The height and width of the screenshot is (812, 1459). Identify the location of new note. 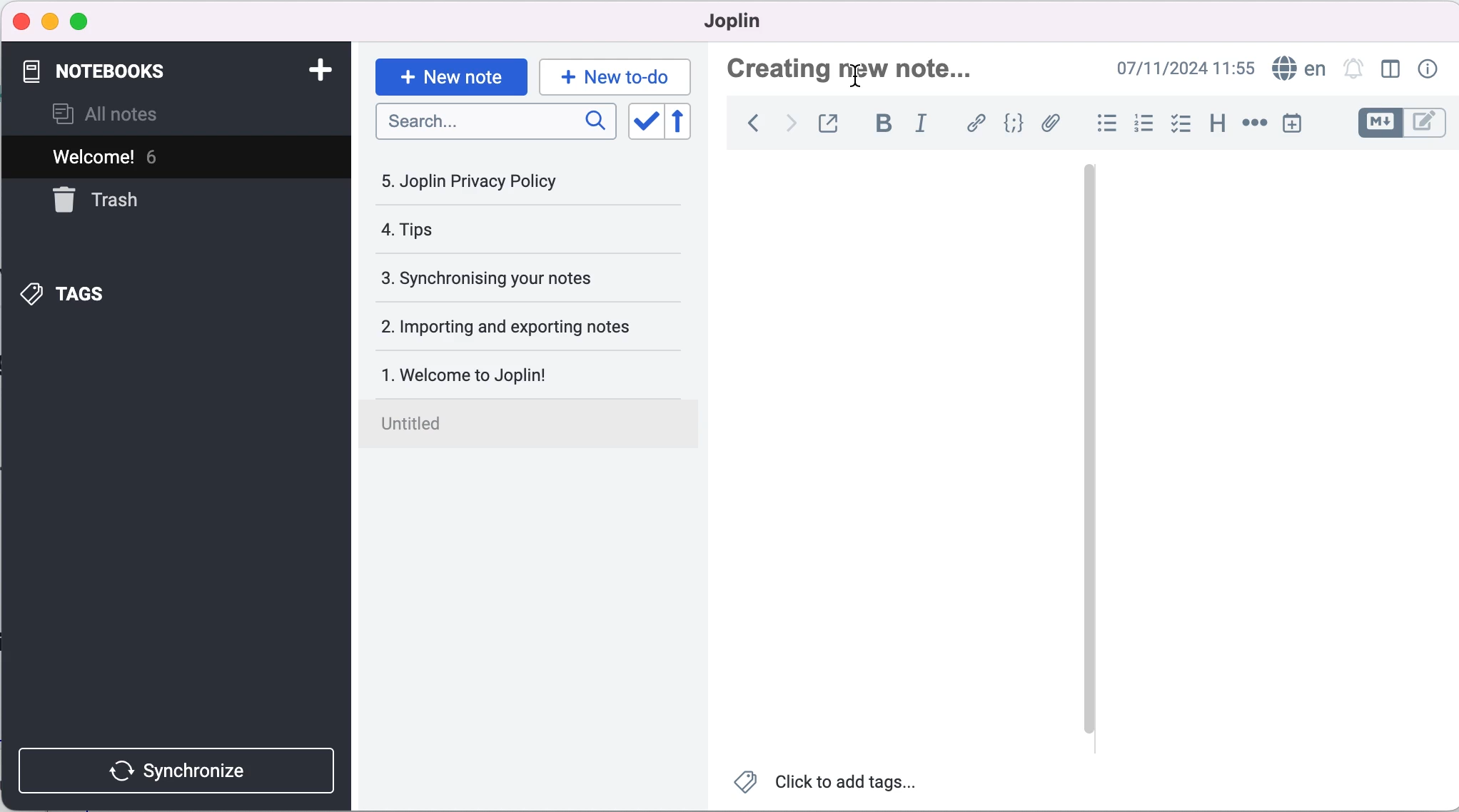
(450, 75).